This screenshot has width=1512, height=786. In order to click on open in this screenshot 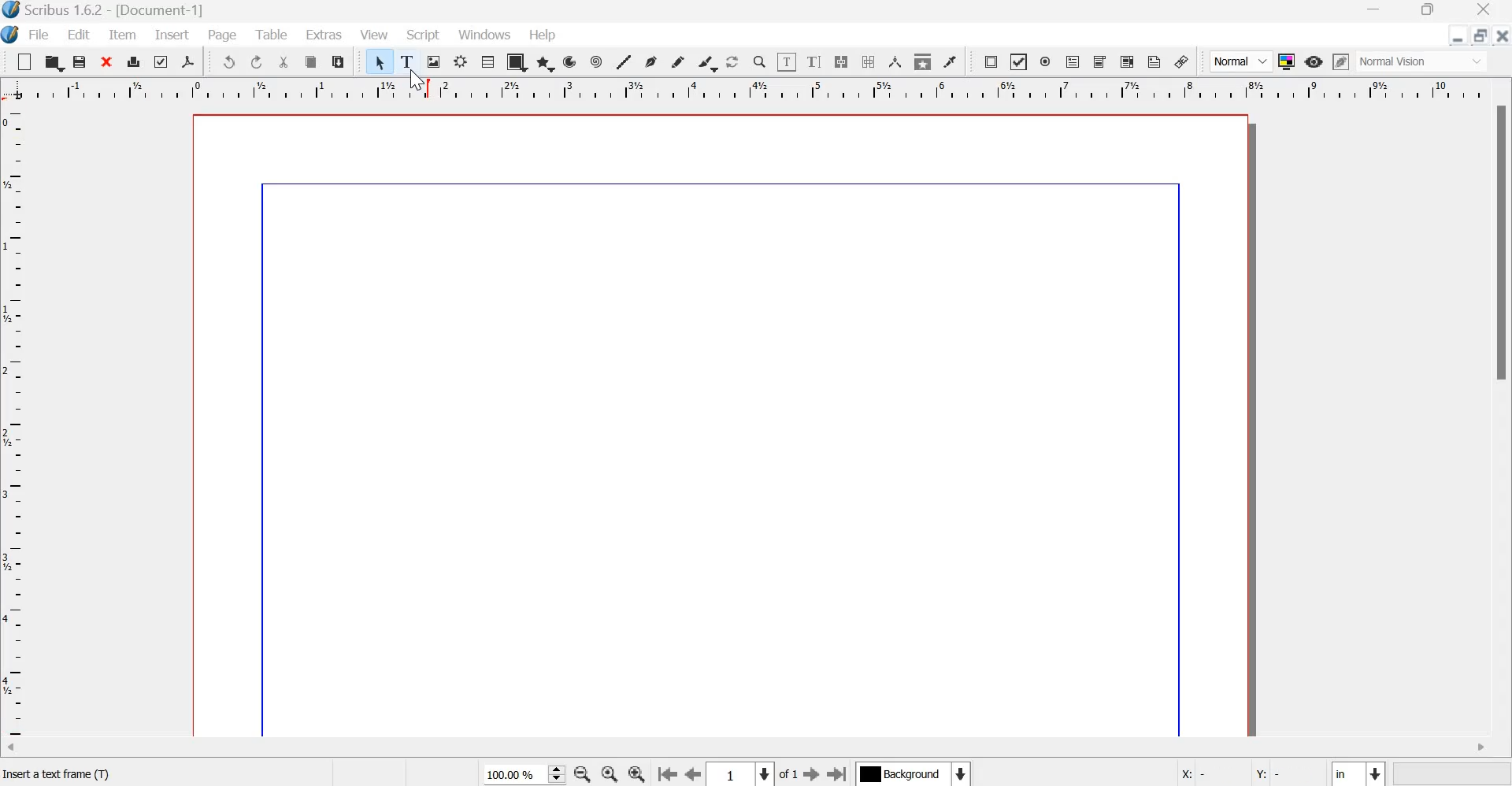, I will do `click(53, 61)`.